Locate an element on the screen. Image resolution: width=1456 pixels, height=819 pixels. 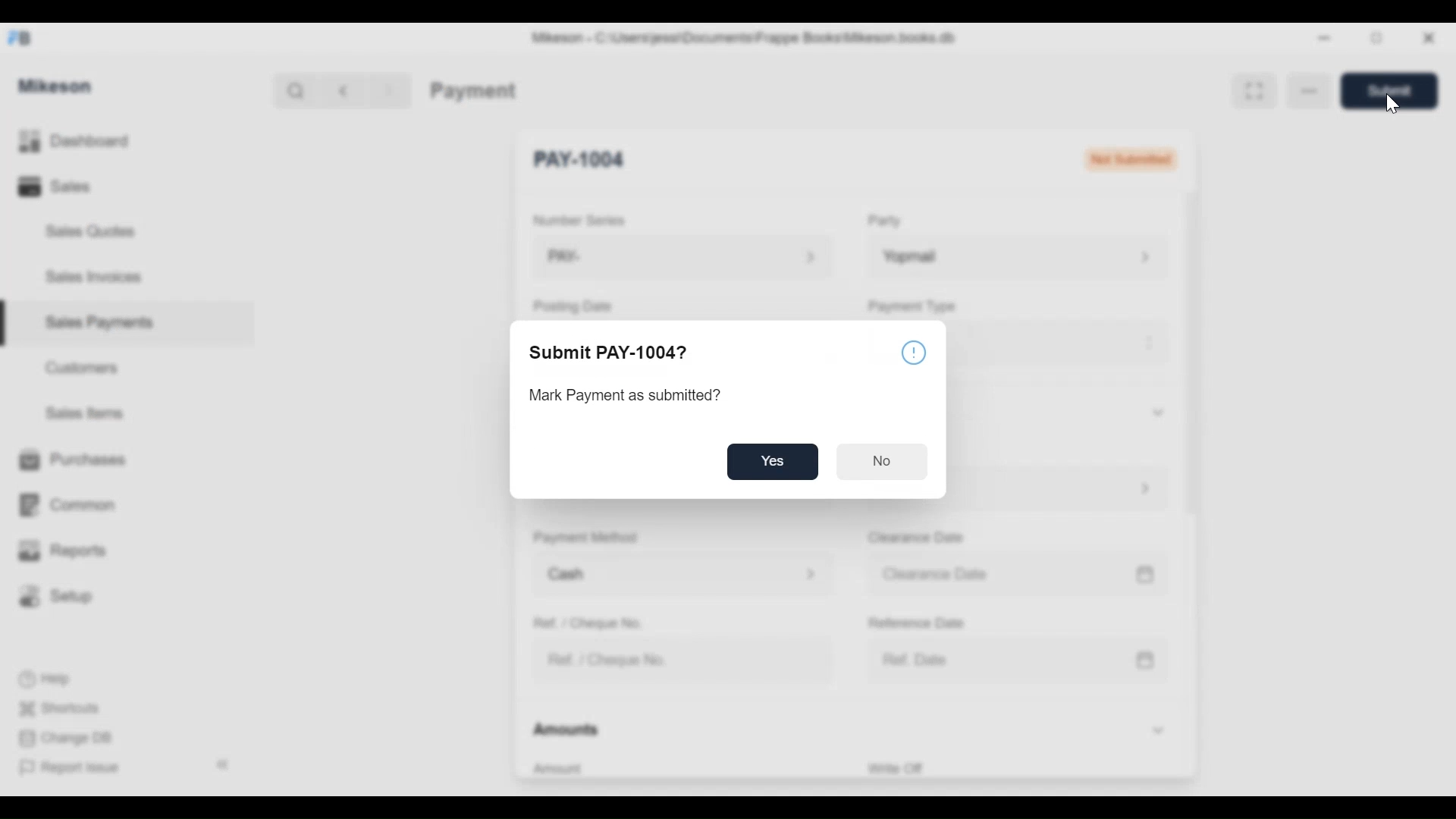
Forward is located at coordinates (394, 89).